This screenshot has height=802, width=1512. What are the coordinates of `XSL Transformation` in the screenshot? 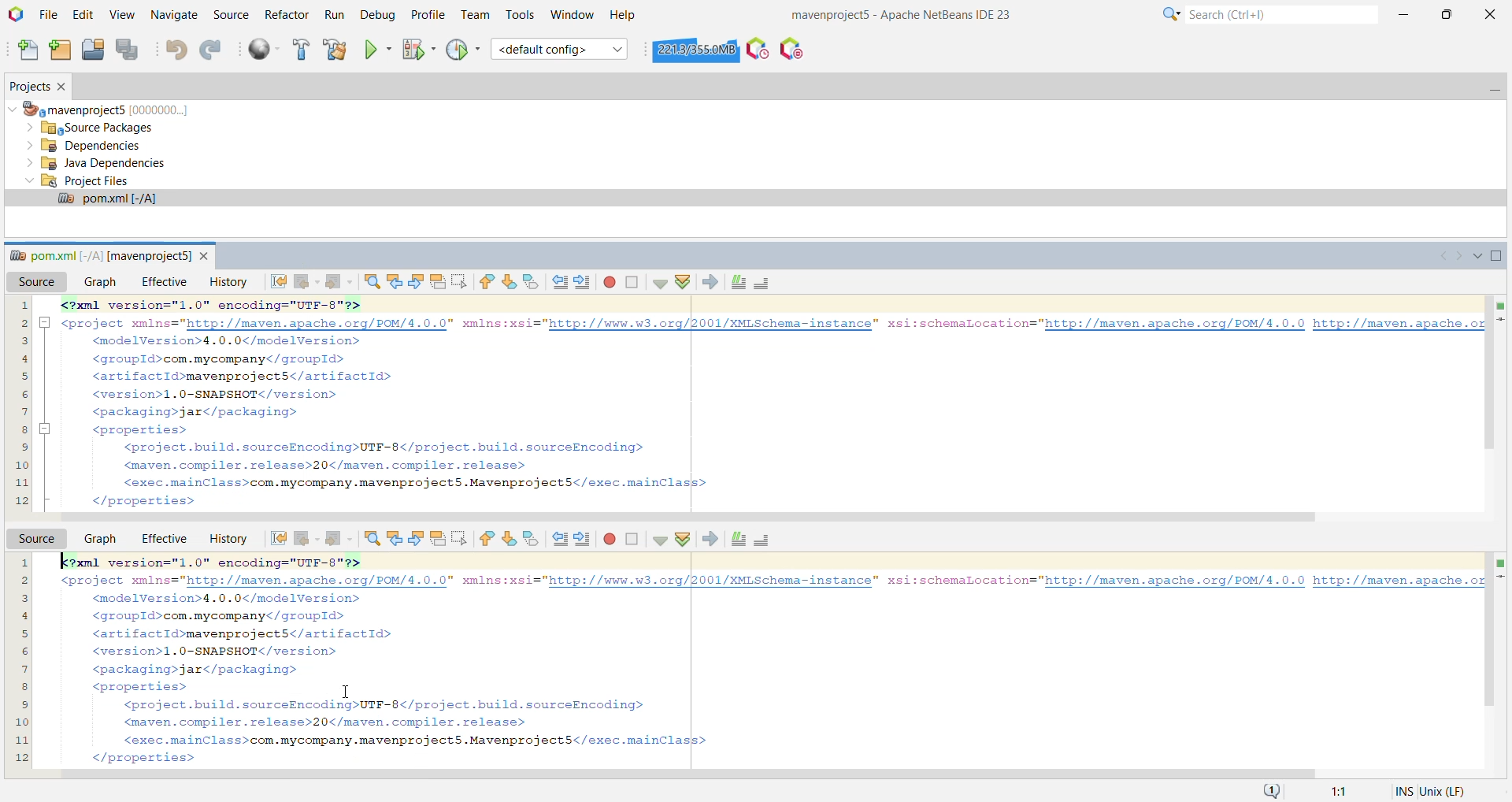 It's located at (709, 282).